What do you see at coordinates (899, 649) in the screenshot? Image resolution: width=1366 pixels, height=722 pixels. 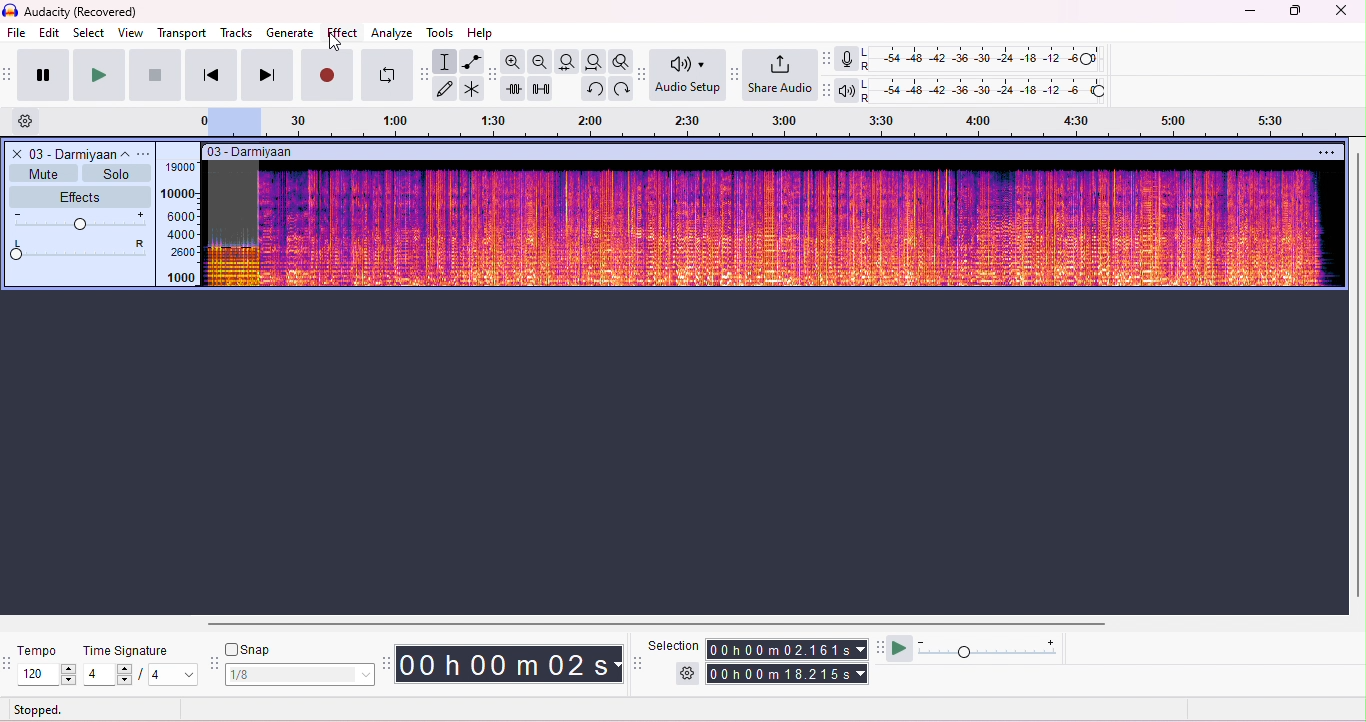 I see `play at speed/play at speed once` at bounding box center [899, 649].